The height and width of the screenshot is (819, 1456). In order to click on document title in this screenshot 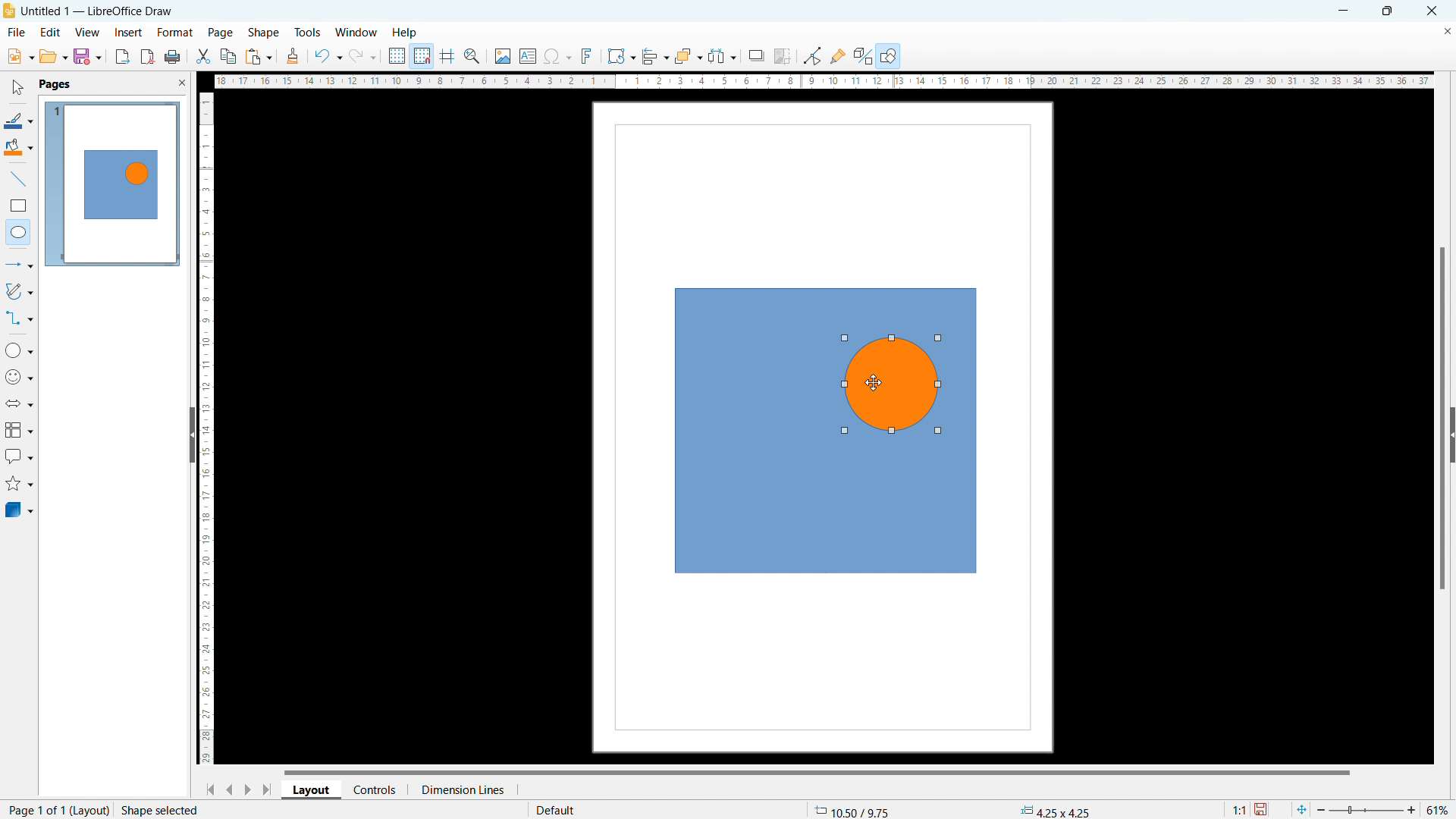, I will do `click(100, 11)`.